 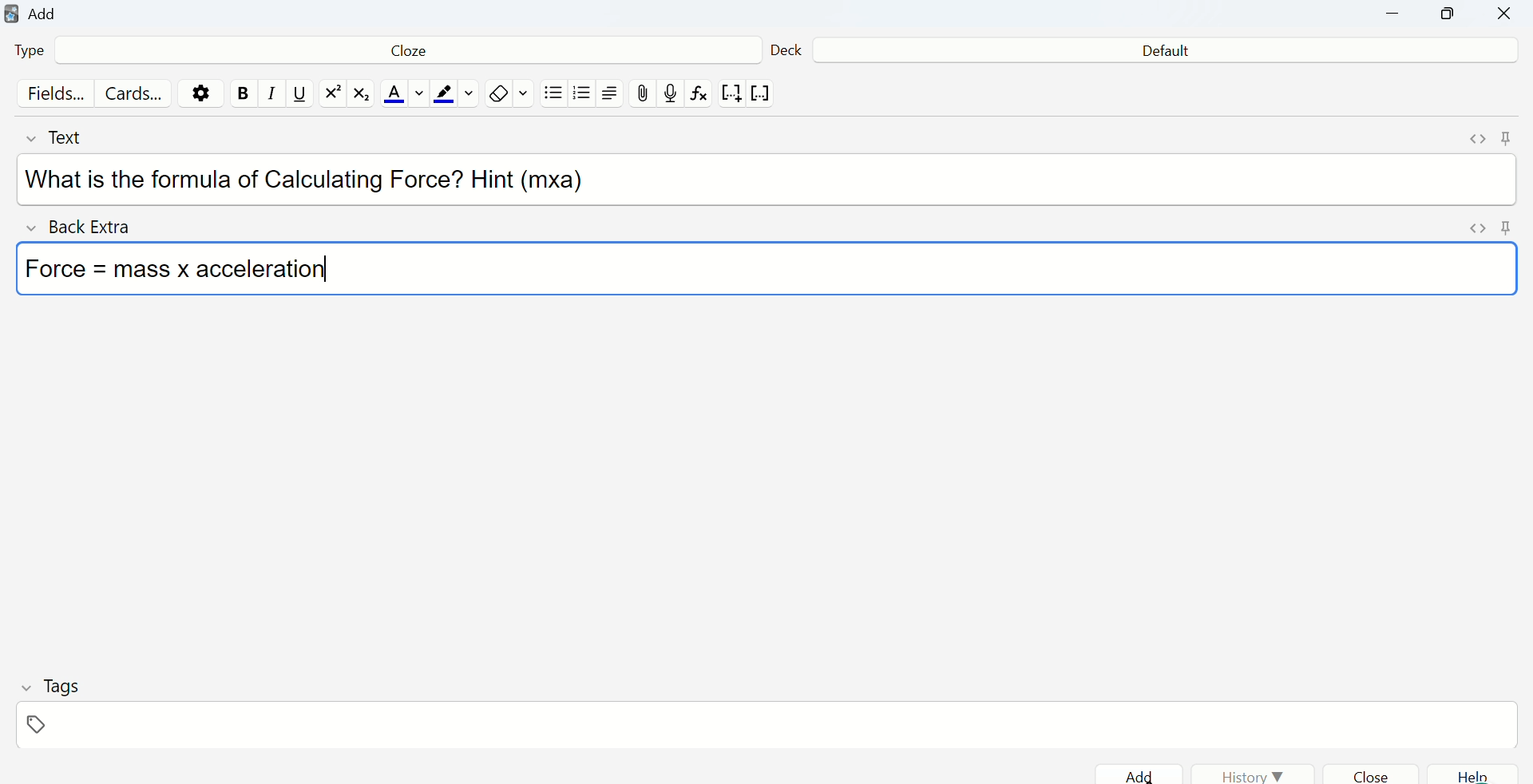 I want to click on Eraser, so click(x=509, y=94).